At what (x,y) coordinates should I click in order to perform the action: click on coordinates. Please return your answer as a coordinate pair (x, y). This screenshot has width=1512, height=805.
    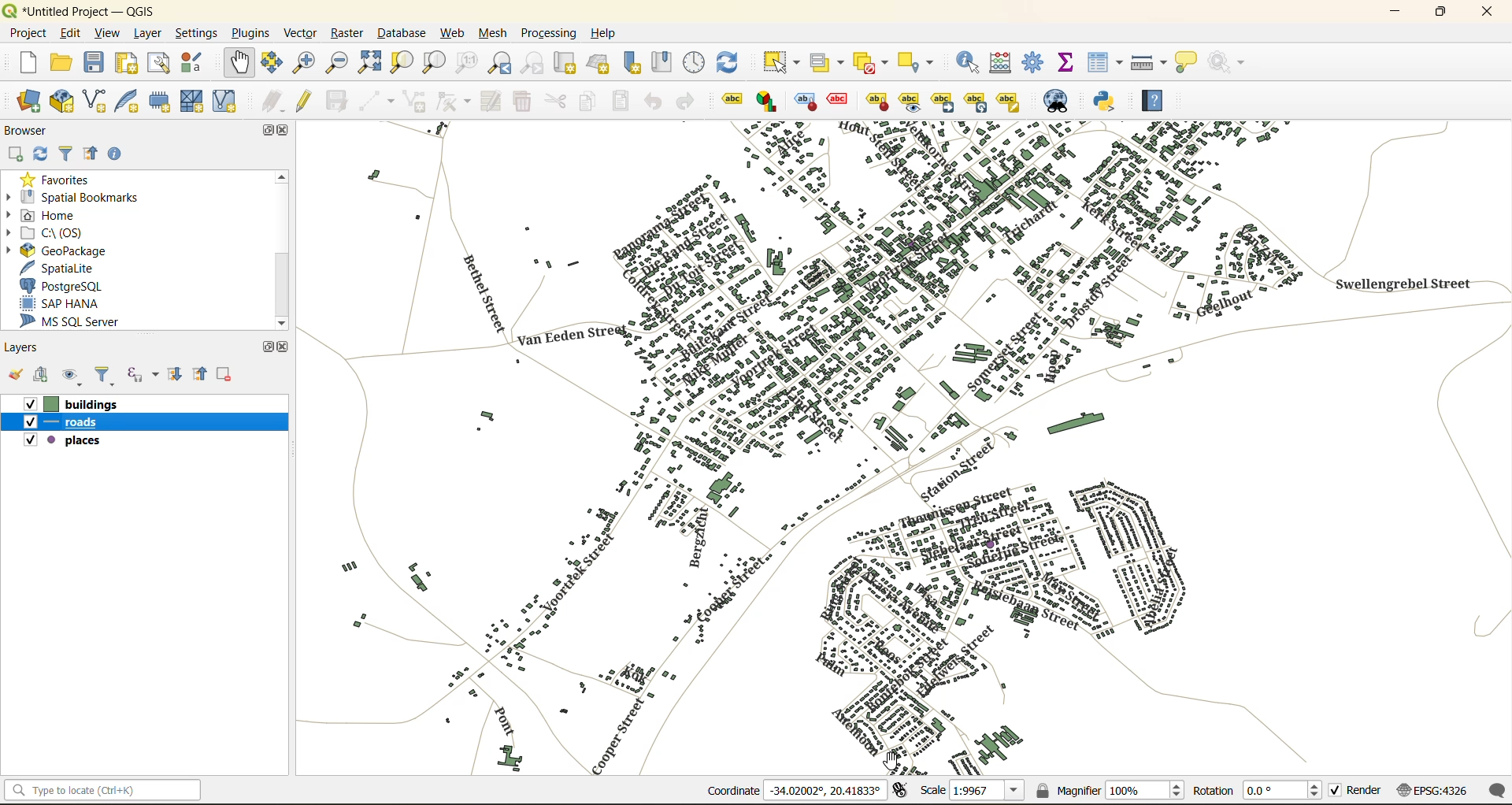
    Looking at the image, I should click on (794, 791).